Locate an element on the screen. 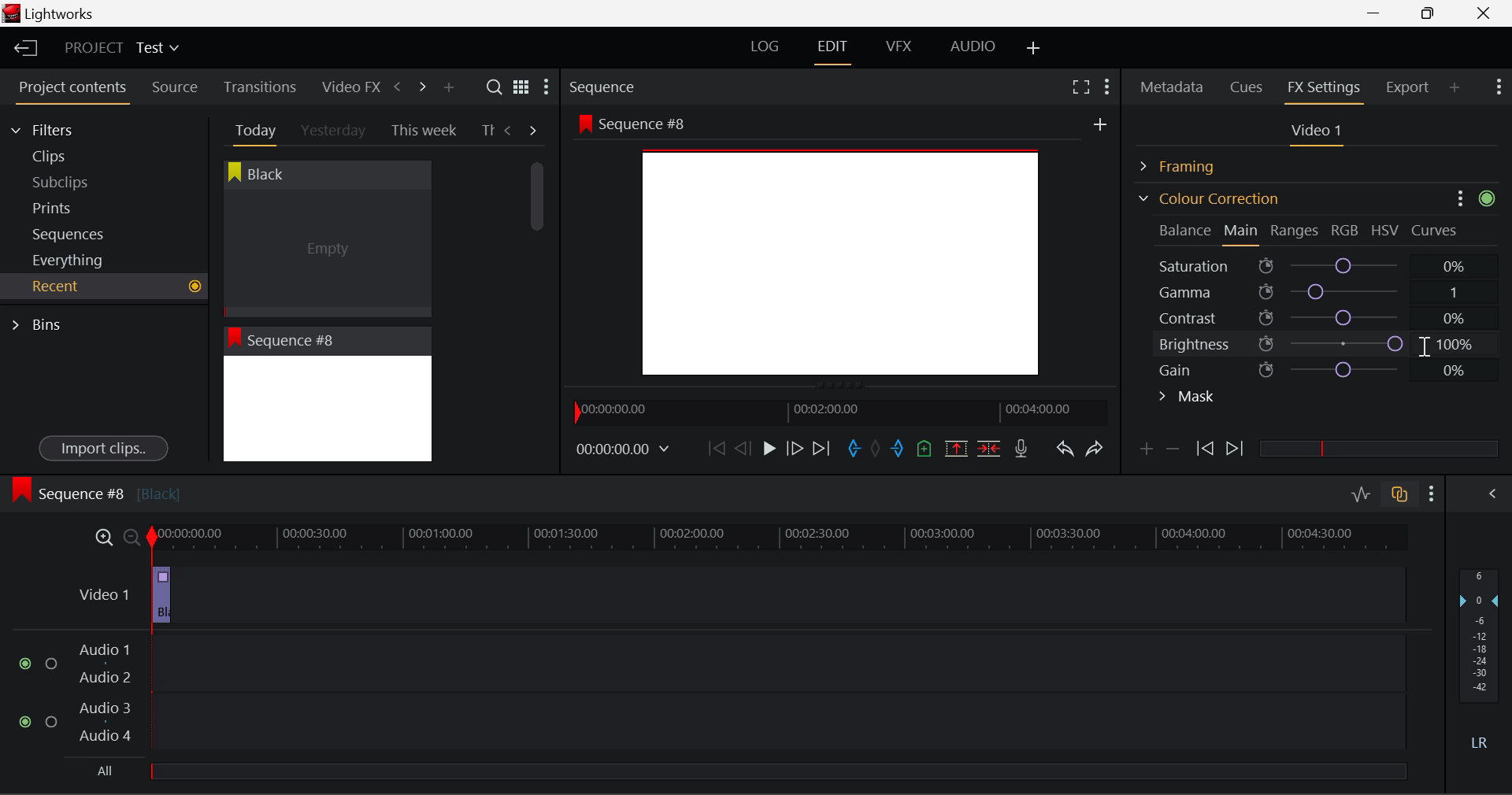 This screenshot has height=795, width=1512. Ranges is located at coordinates (1295, 232).